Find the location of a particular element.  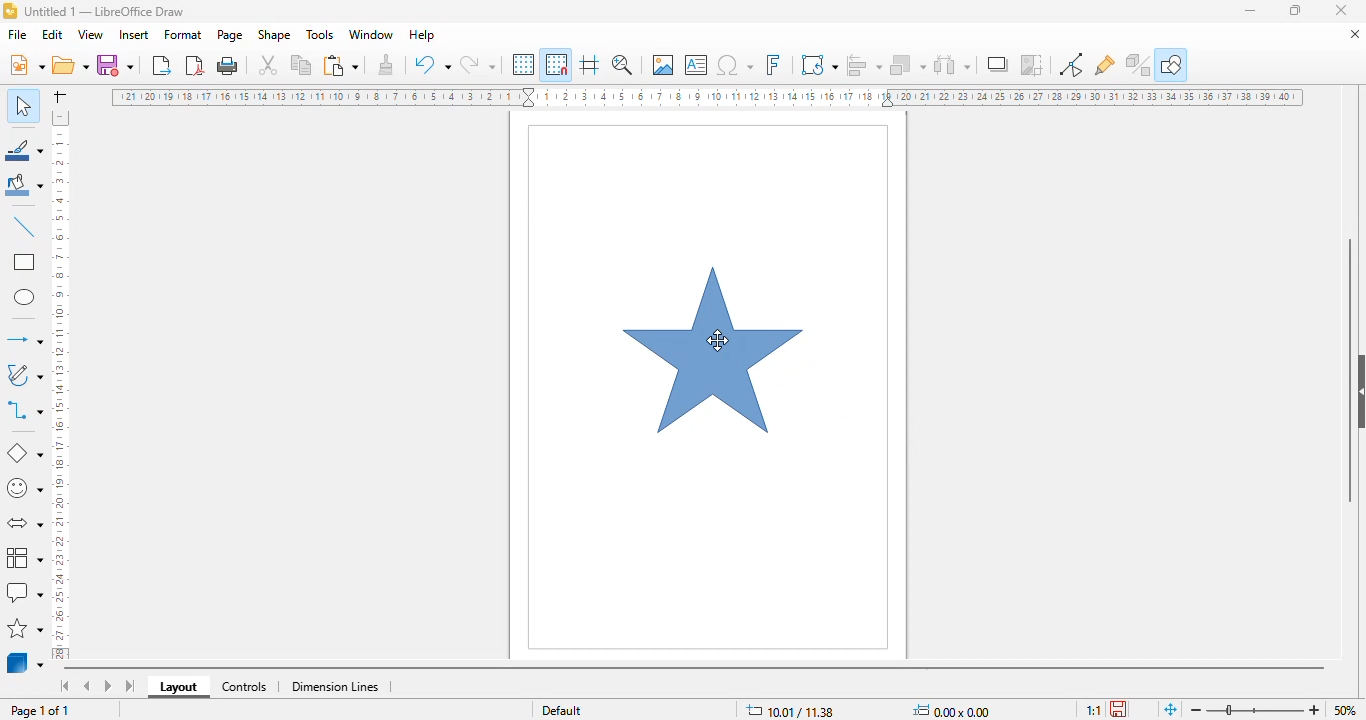

file is located at coordinates (18, 34).